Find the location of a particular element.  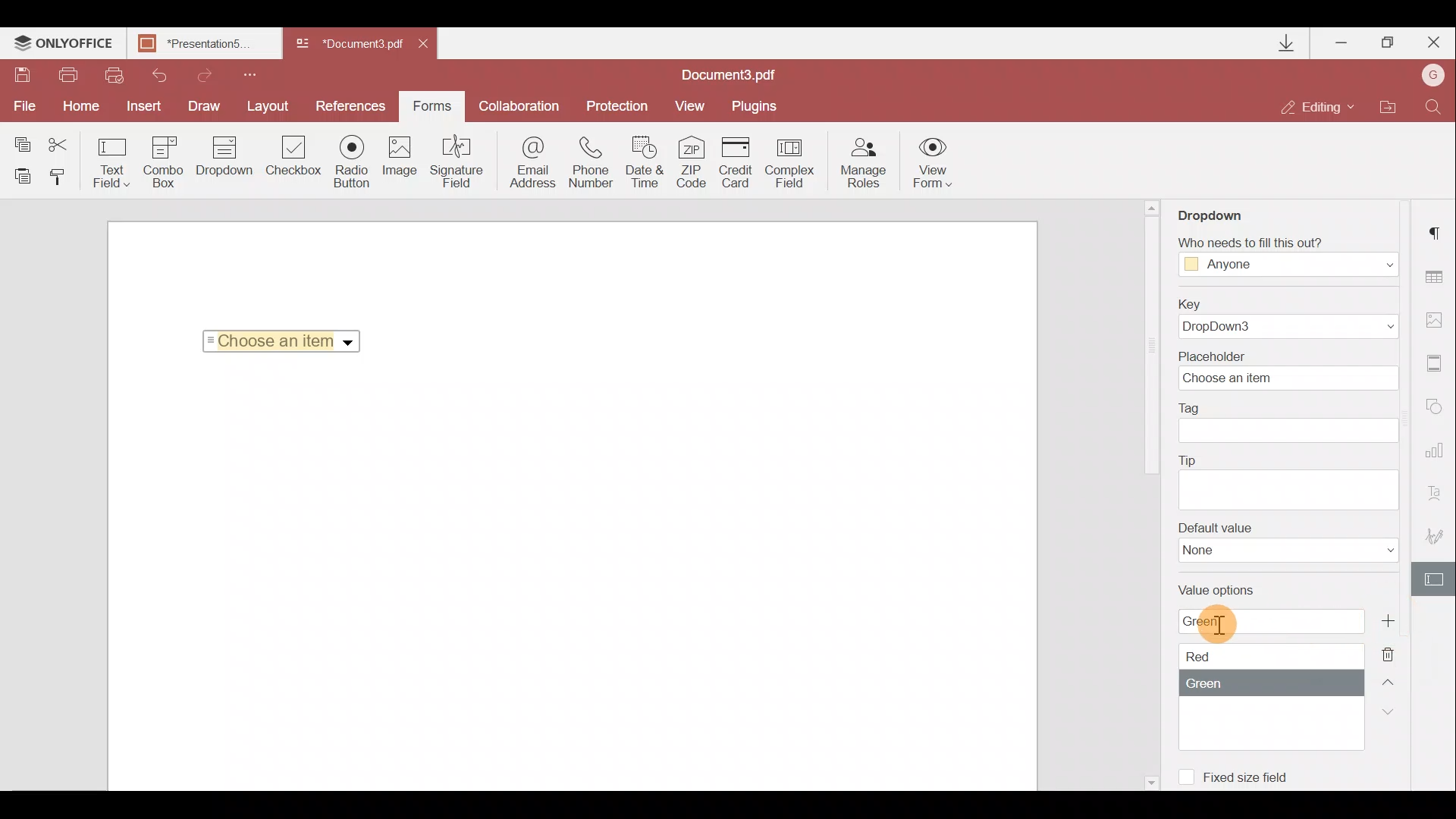

Up is located at coordinates (1391, 679).